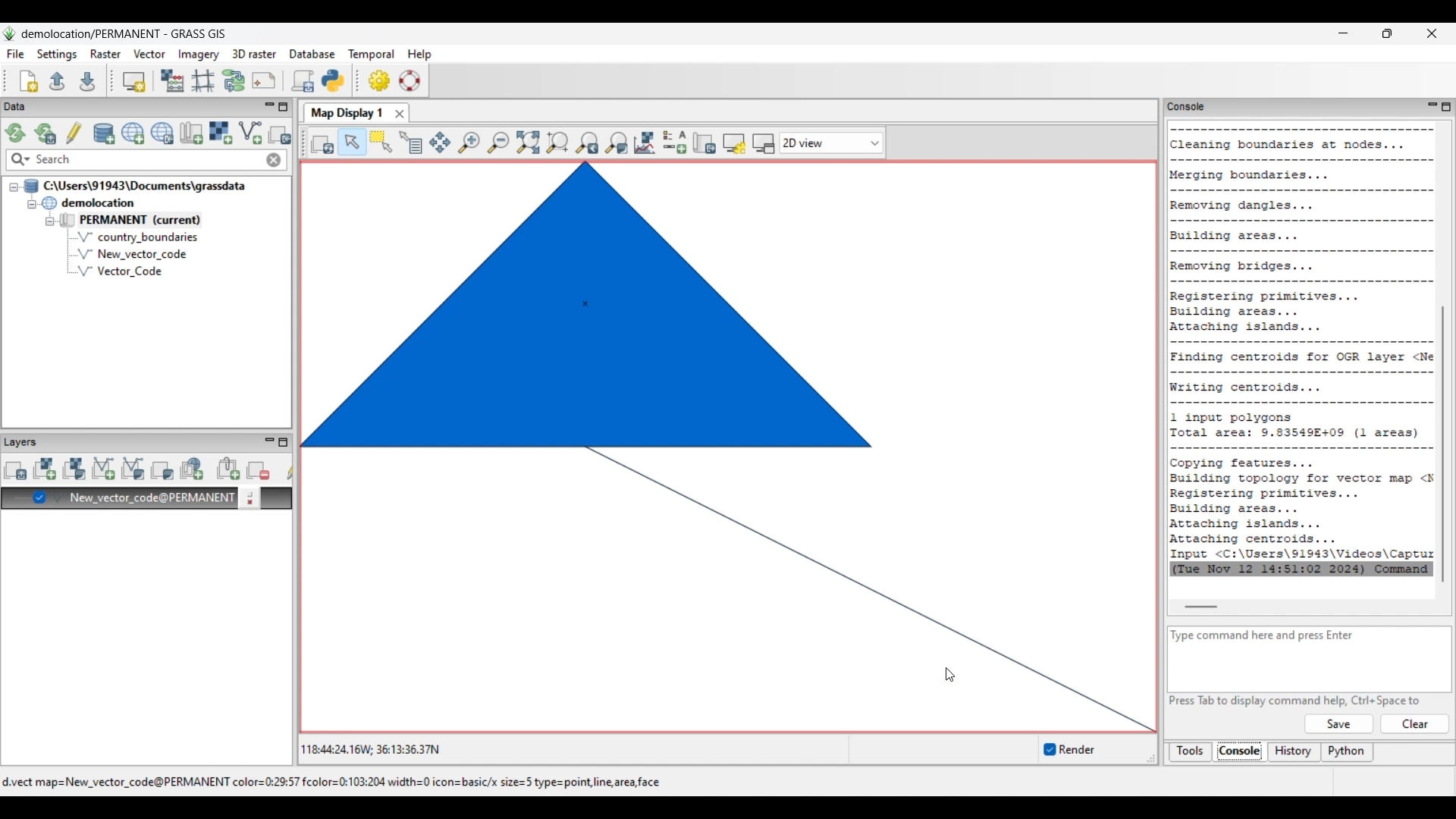 This screenshot has height=819, width=1456. I want to click on 3D raster menu, so click(254, 53).